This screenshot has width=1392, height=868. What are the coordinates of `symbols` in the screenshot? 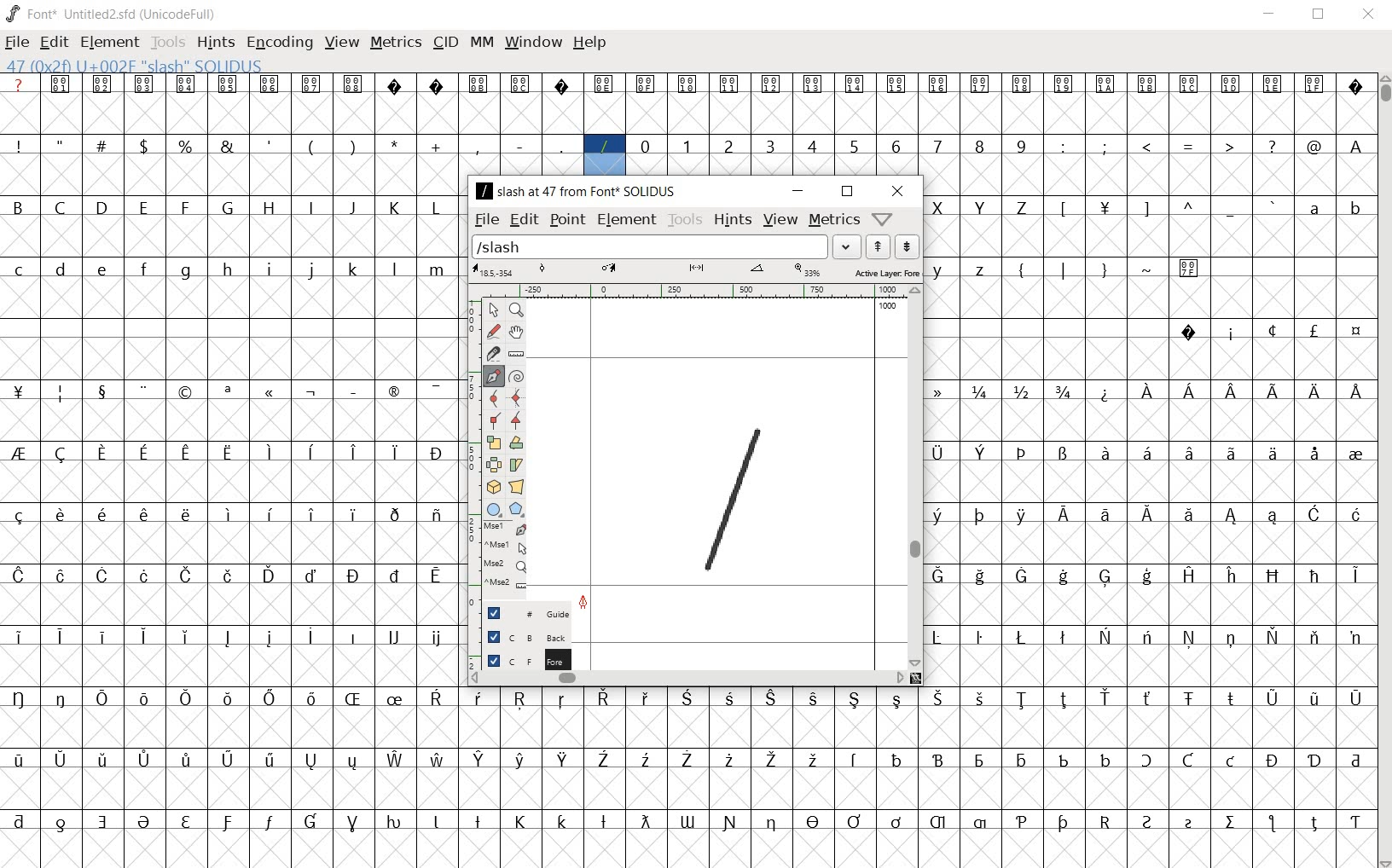 It's located at (238, 391).